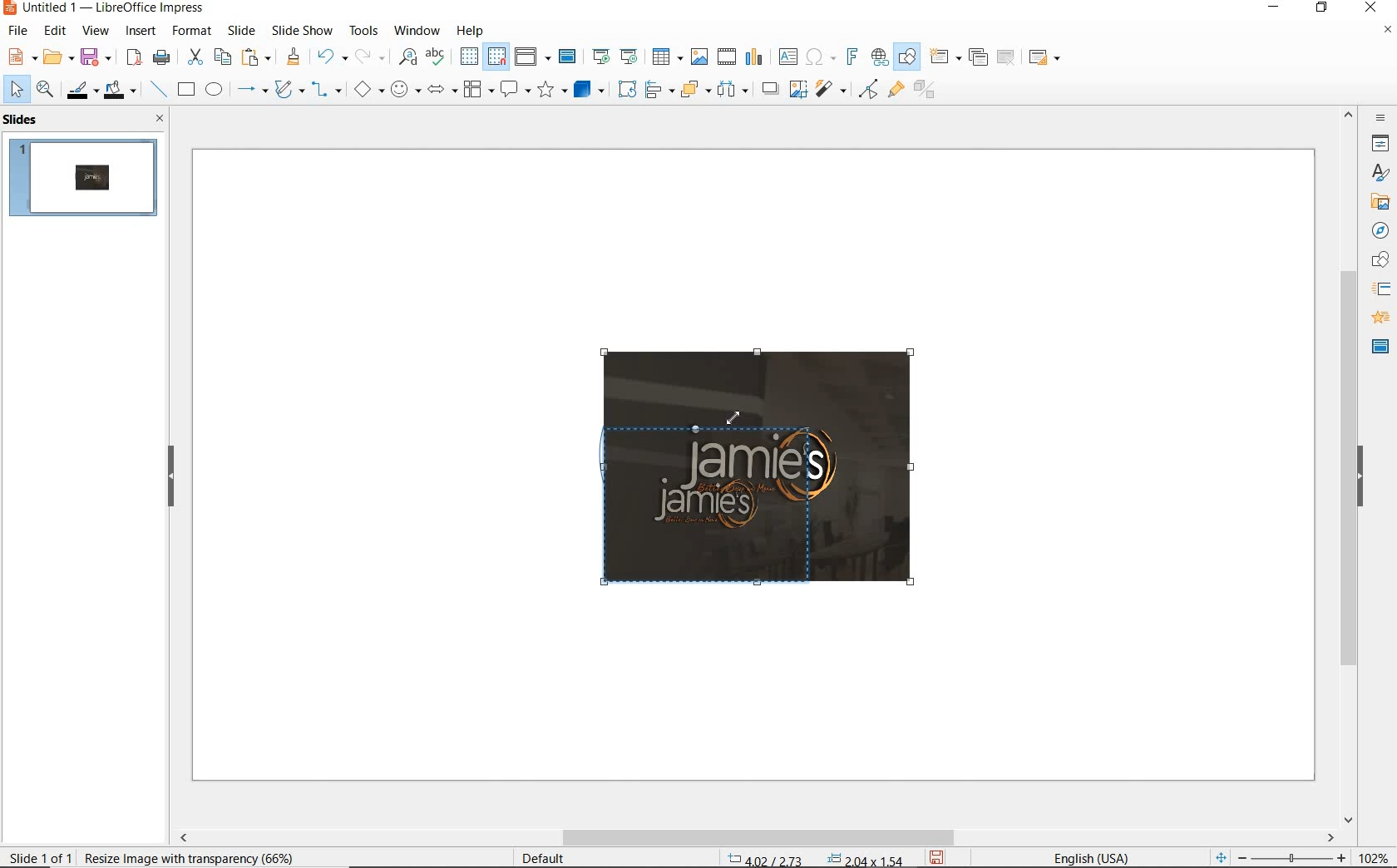 The height and width of the screenshot is (868, 1397). What do you see at coordinates (190, 30) in the screenshot?
I see `format` at bounding box center [190, 30].